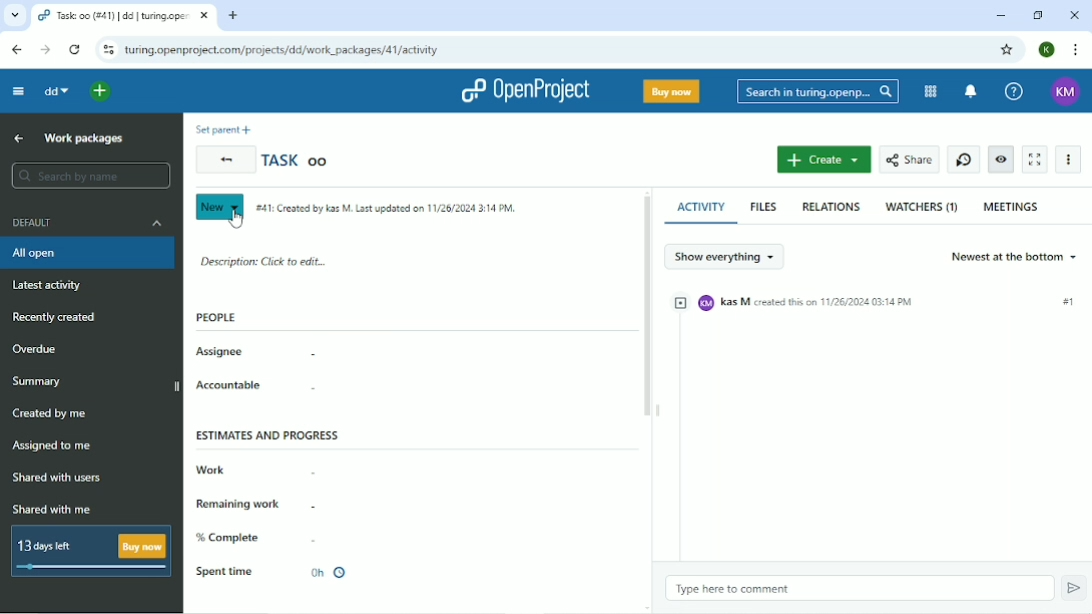  I want to click on Created by me, so click(55, 414).